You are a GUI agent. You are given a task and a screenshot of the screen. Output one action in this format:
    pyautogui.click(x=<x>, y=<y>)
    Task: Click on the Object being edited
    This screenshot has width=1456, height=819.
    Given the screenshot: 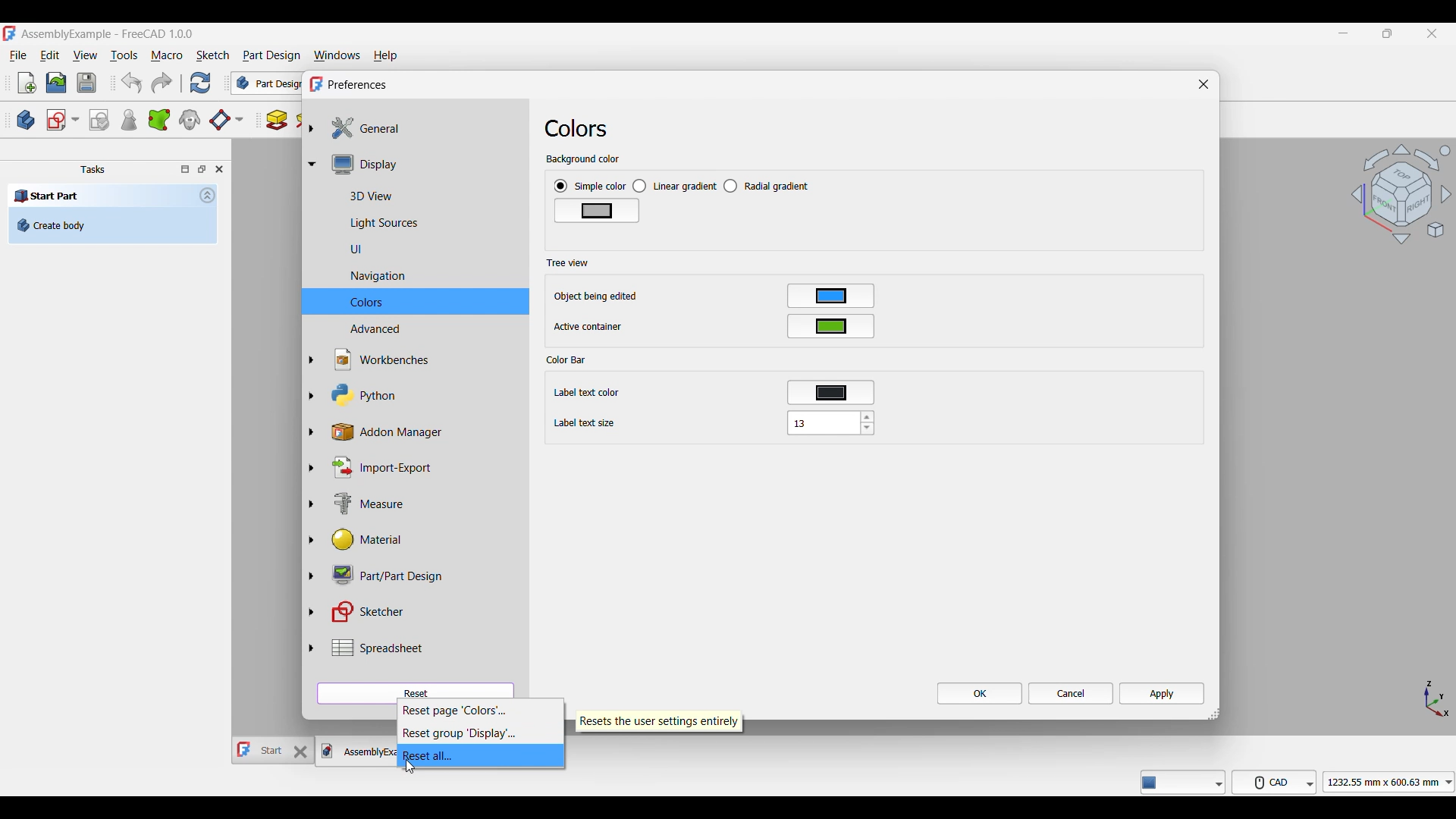 What is the action you would take?
    pyautogui.click(x=598, y=297)
    